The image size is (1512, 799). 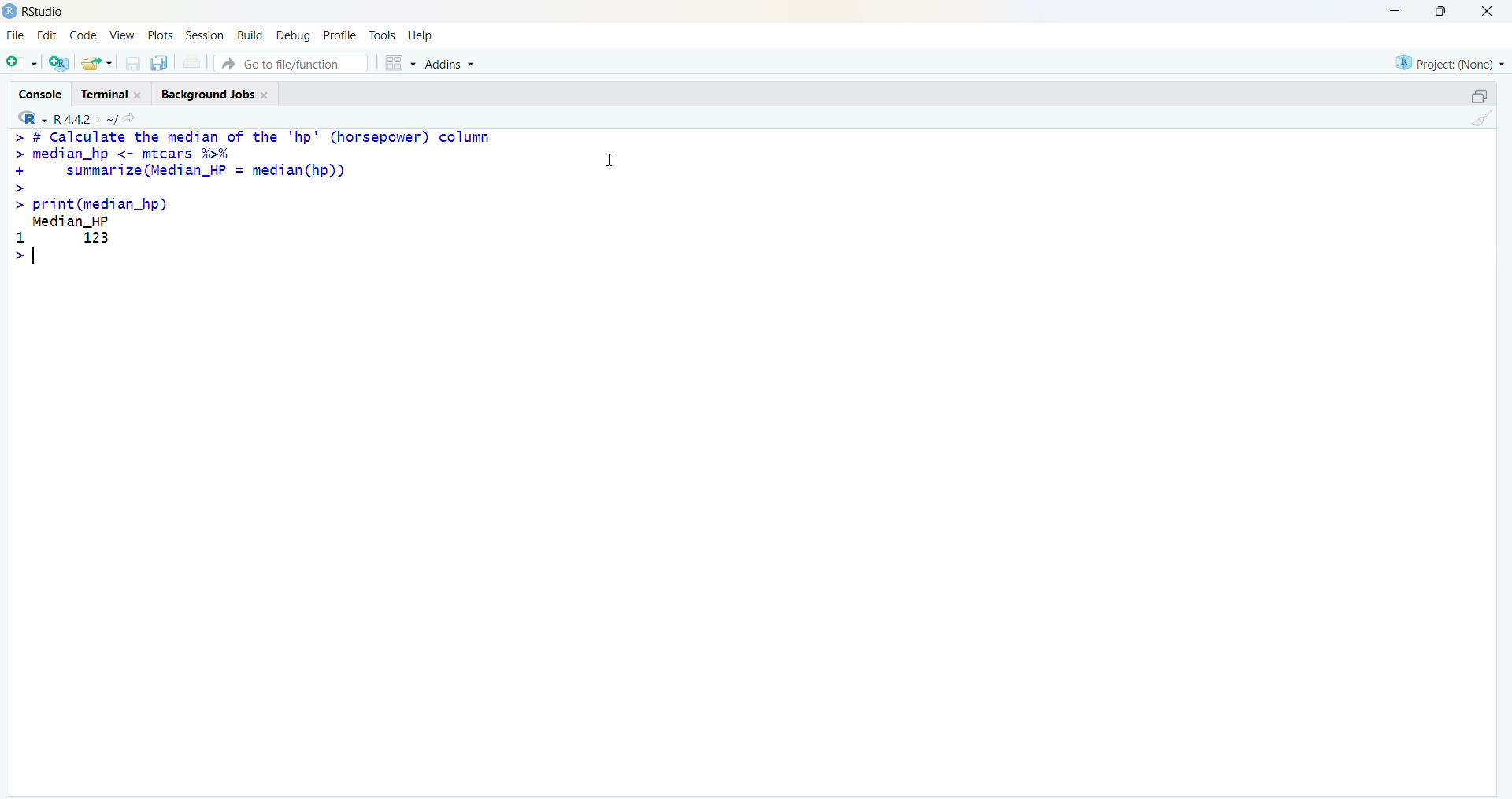 I want to click on print, so click(x=192, y=63).